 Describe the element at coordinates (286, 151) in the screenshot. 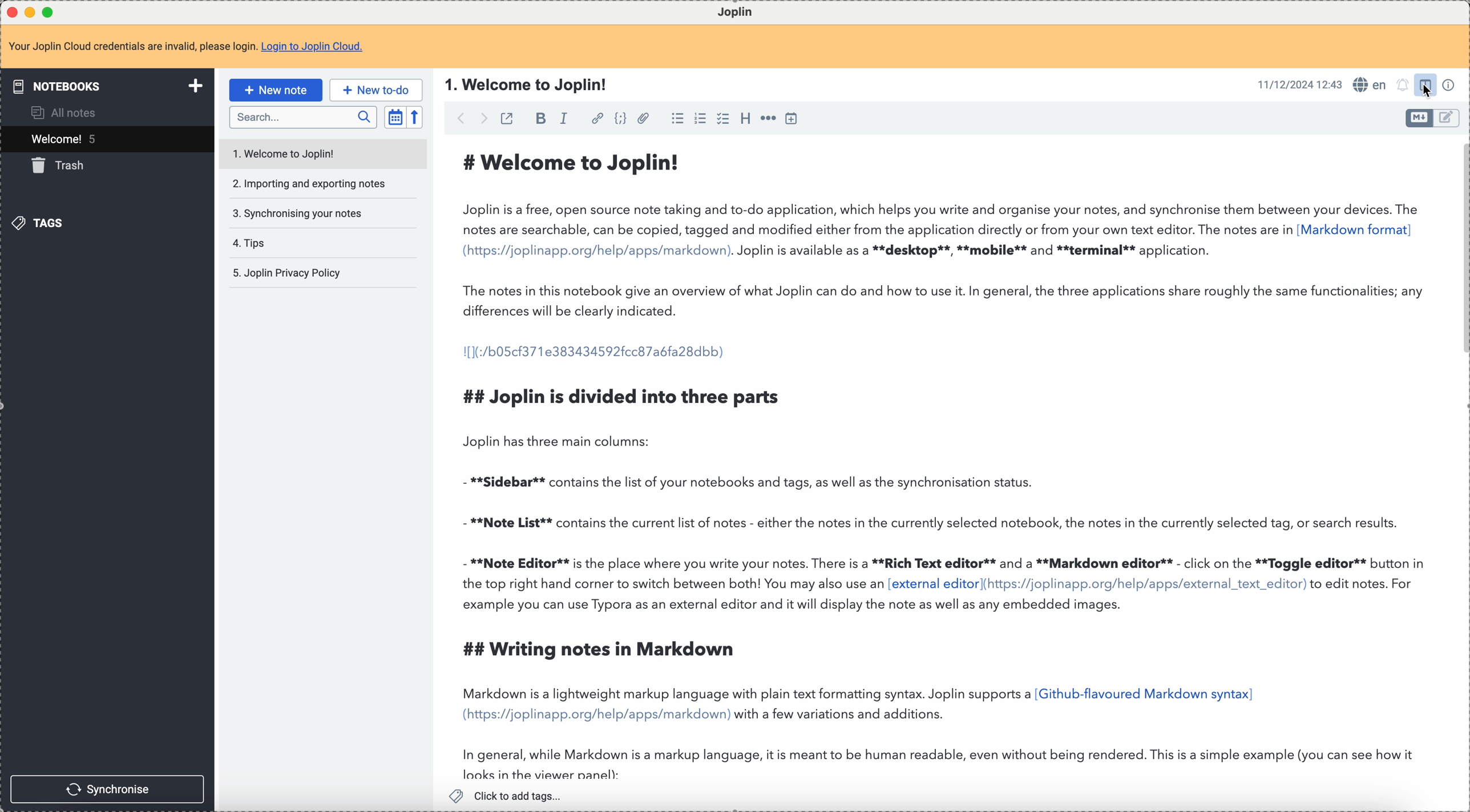

I see `welcome to Joplin` at that location.